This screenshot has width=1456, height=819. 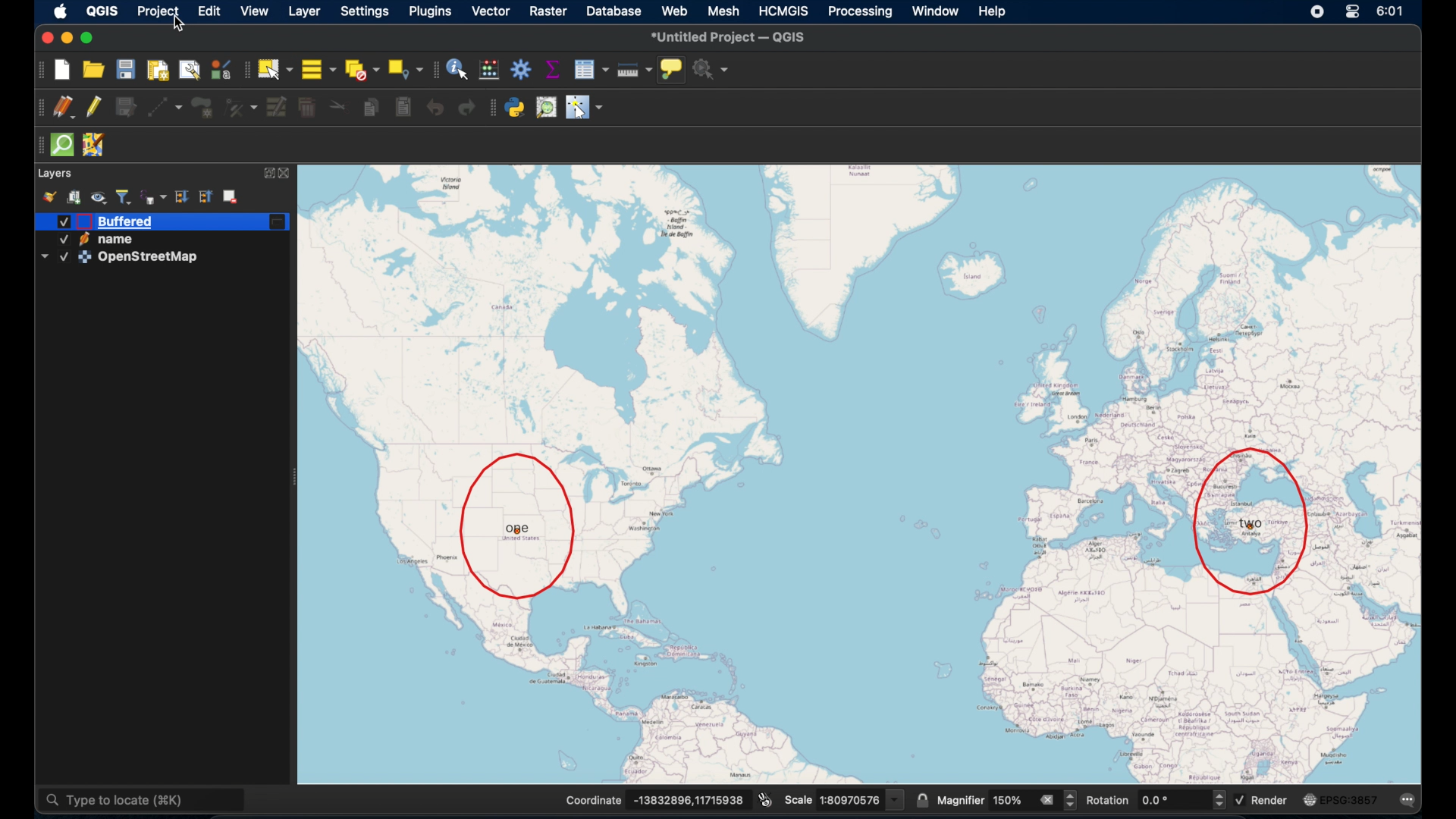 What do you see at coordinates (1316, 11) in the screenshot?
I see `control center` at bounding box center [1316, 11].